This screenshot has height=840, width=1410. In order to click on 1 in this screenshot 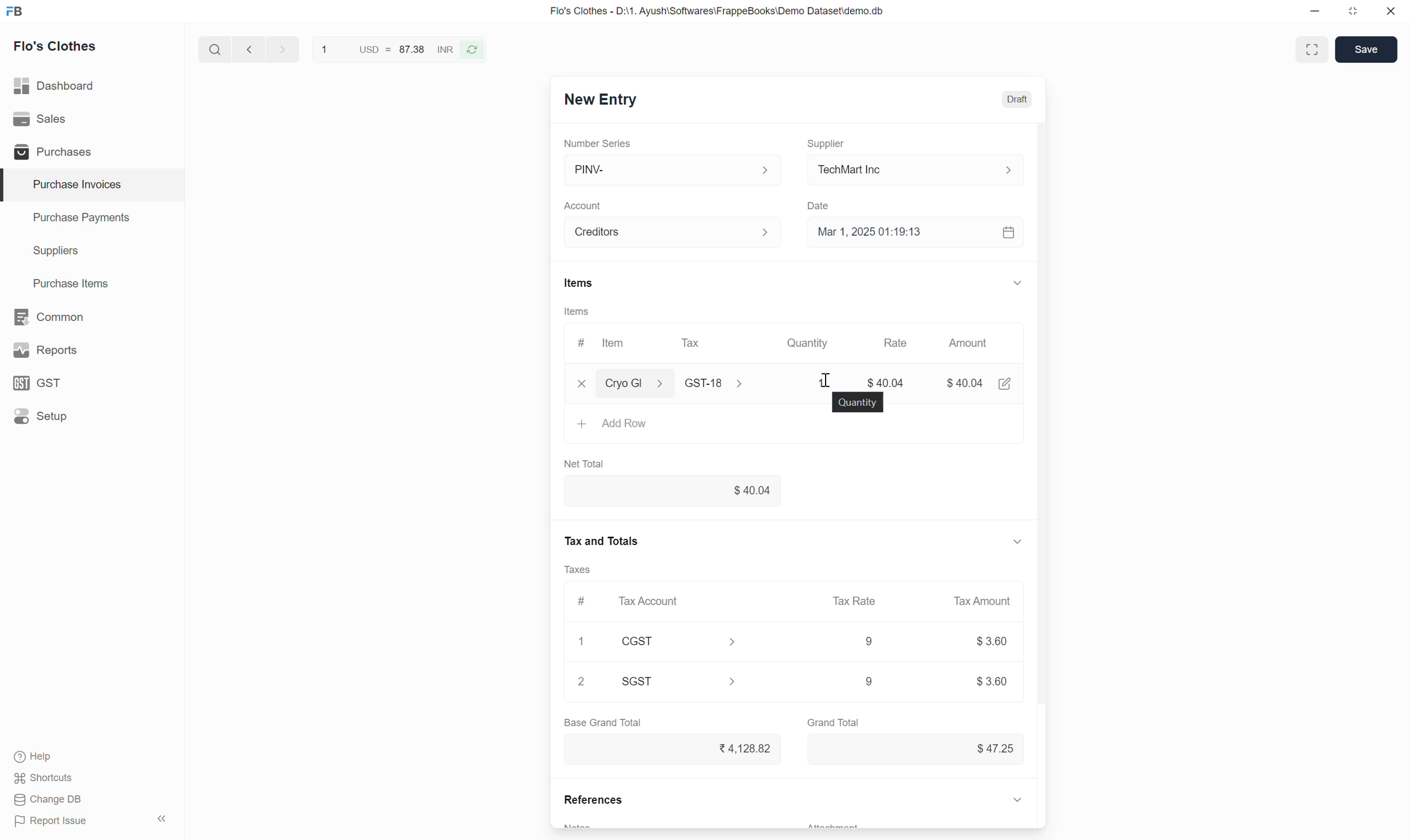, I will do `click(822, 382)`.